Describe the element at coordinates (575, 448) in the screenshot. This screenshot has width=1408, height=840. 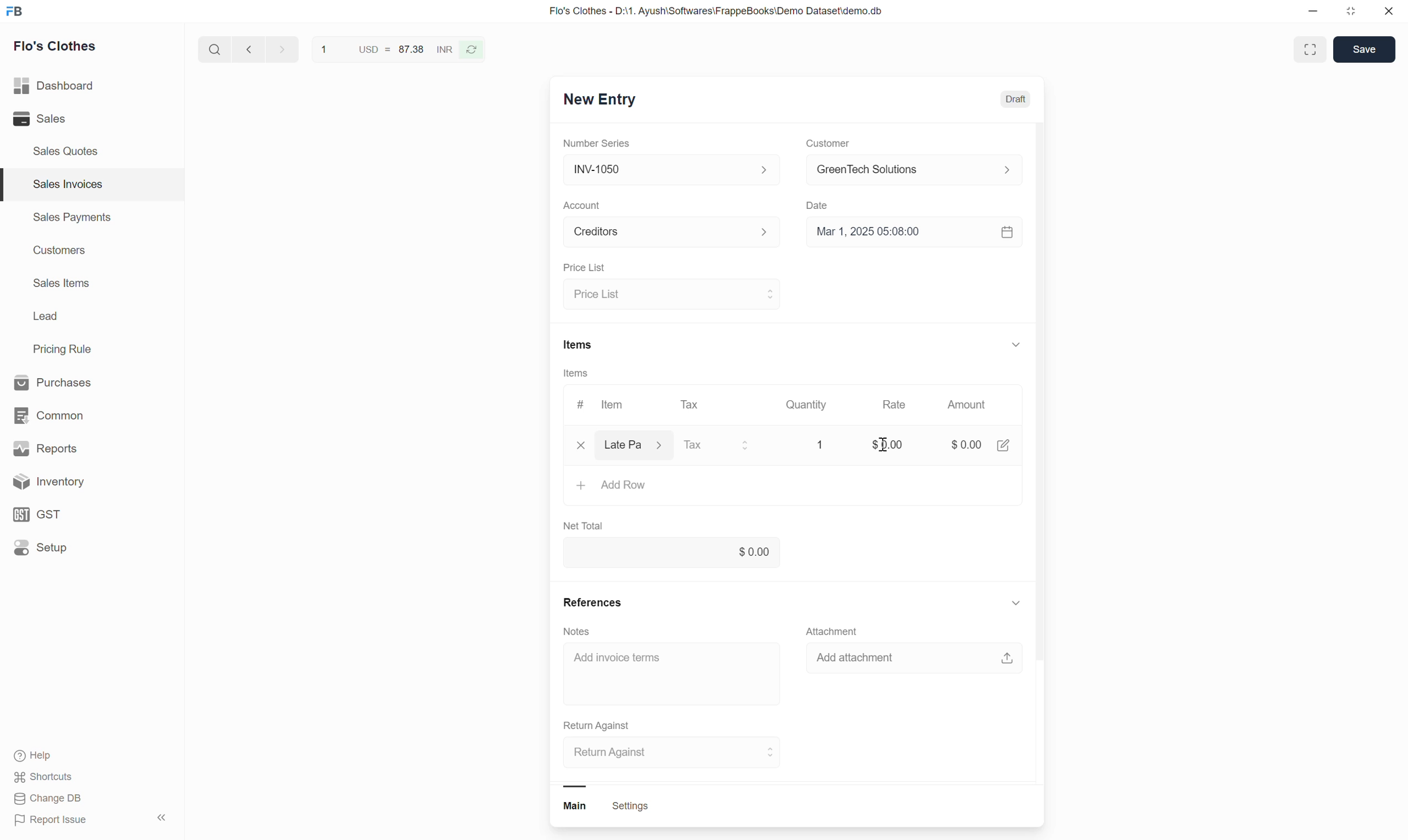
I see `close ` at that location.